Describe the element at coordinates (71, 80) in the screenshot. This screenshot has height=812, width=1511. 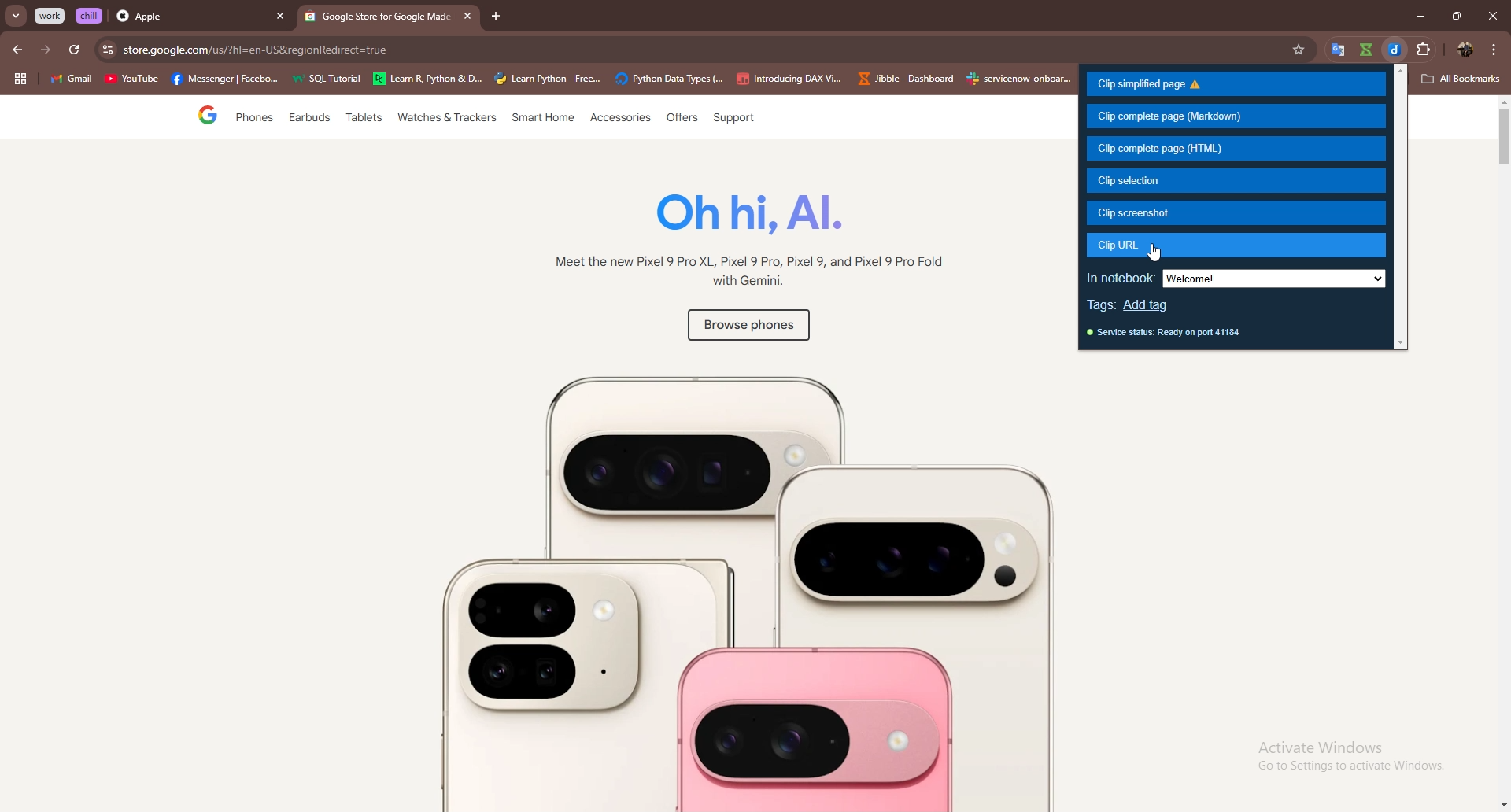
I see `gmail` at that location.